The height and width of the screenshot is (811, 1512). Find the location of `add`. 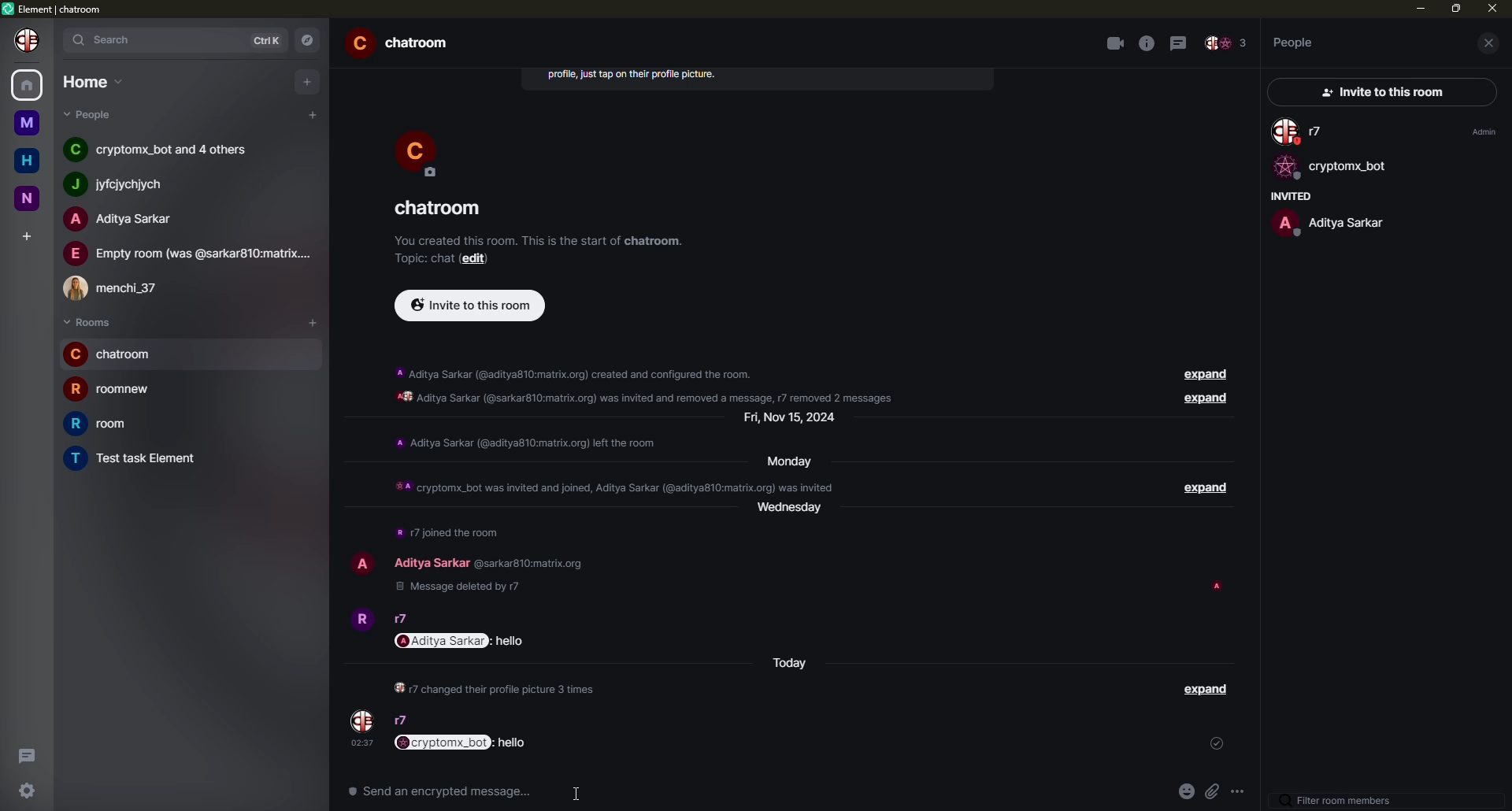

add is located at coordinates (313, 114).